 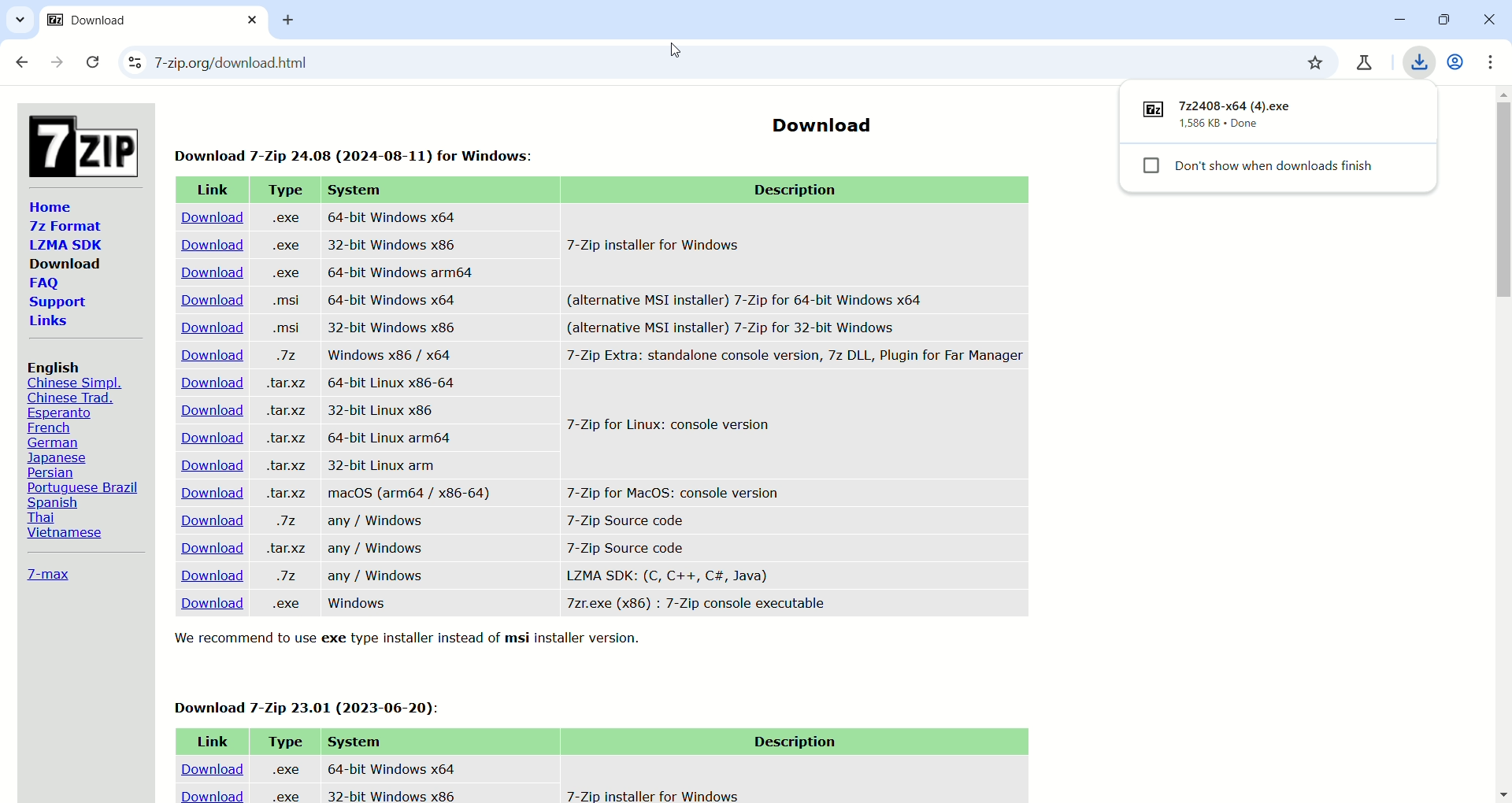 What do you see at coordinates (206, 218) in the screenshot?
I see `Download` at bounding box center [206, 218].